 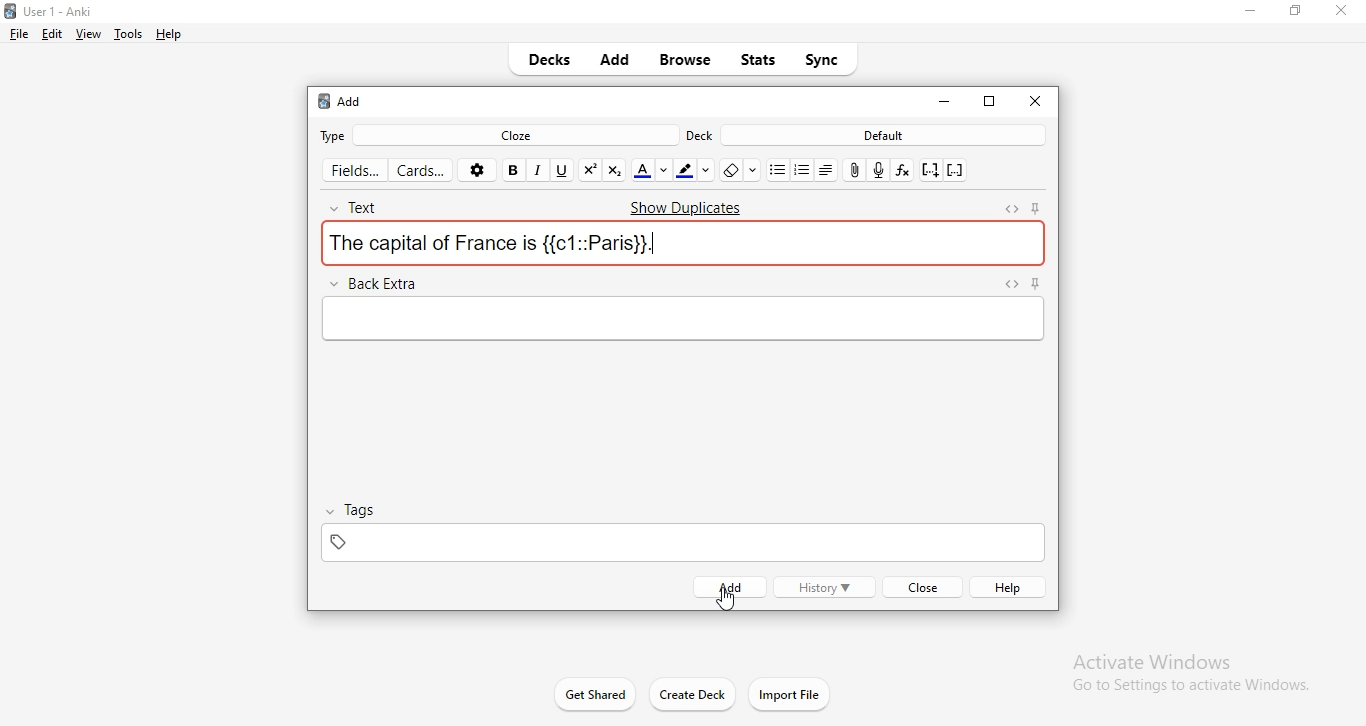 What do you see at coordinates (700, 136) in the screenshot?
I see `deck` at bounding box center [700, 136].